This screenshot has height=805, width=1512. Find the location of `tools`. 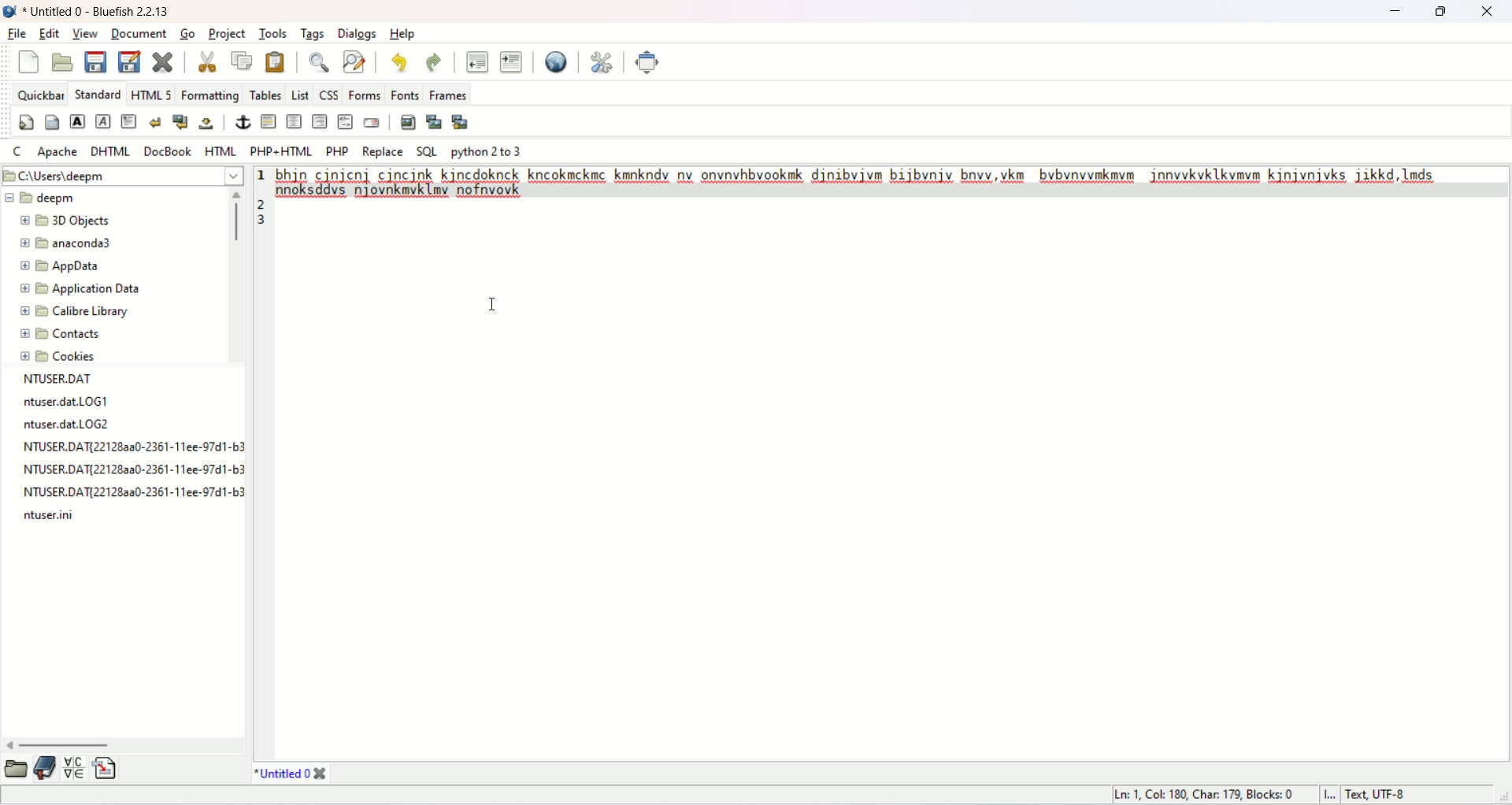

tools is located at coordinates (270, 34).